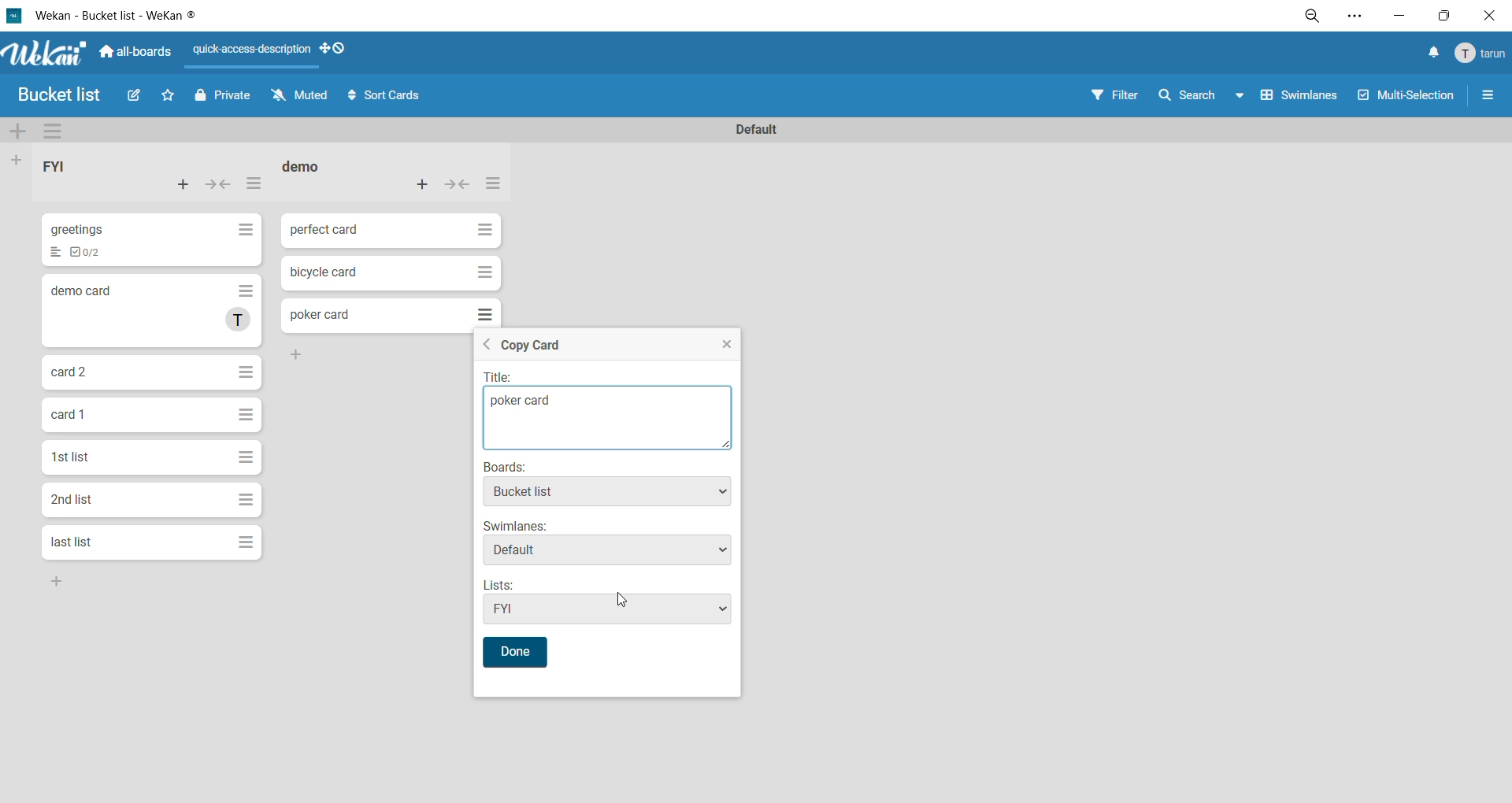  What do you see at coordinates (243, 413) in the screenshot?
I see `Hamburger` at bounding box center [243, 413].